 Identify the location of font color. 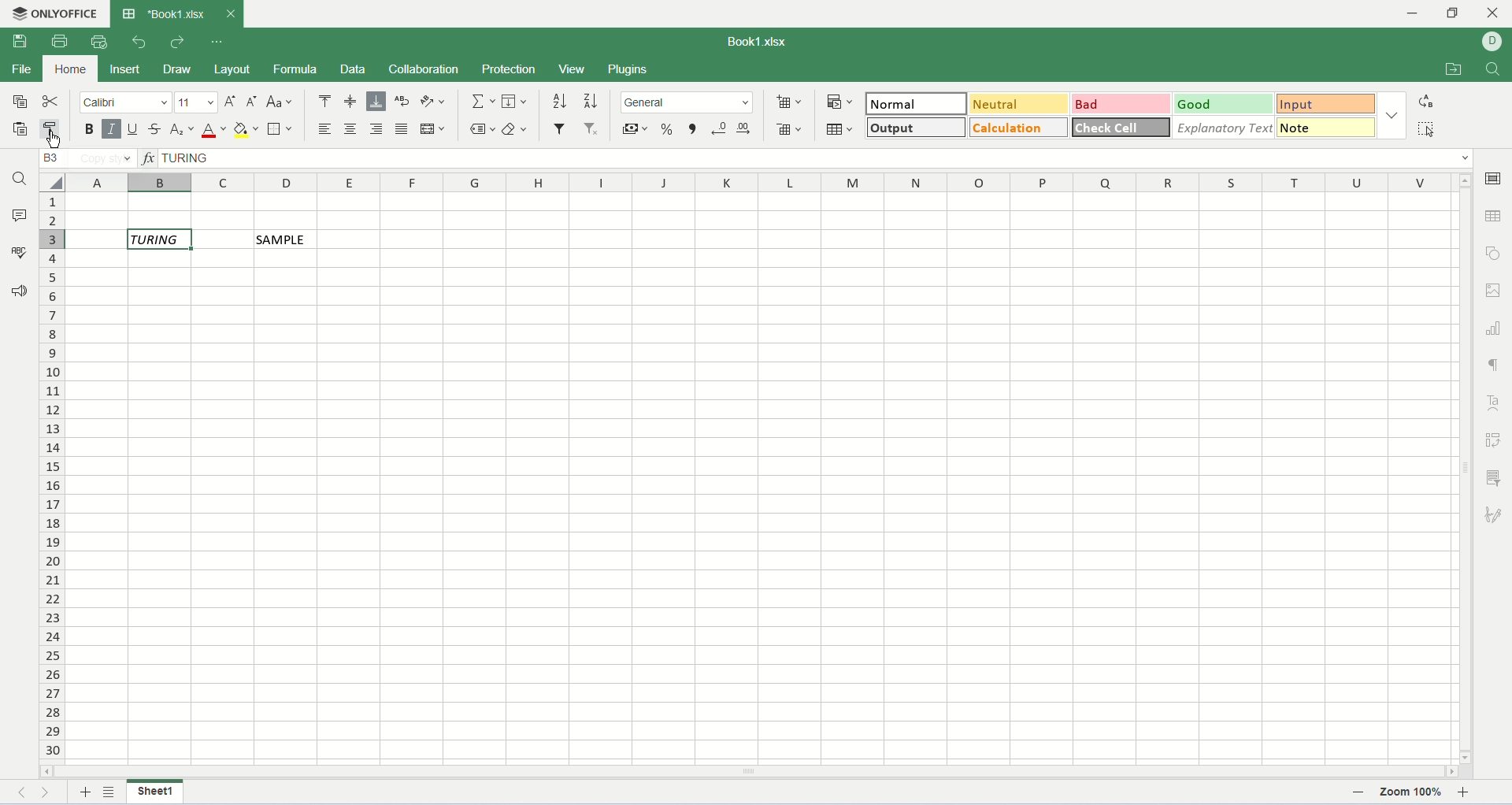
(214, 130).